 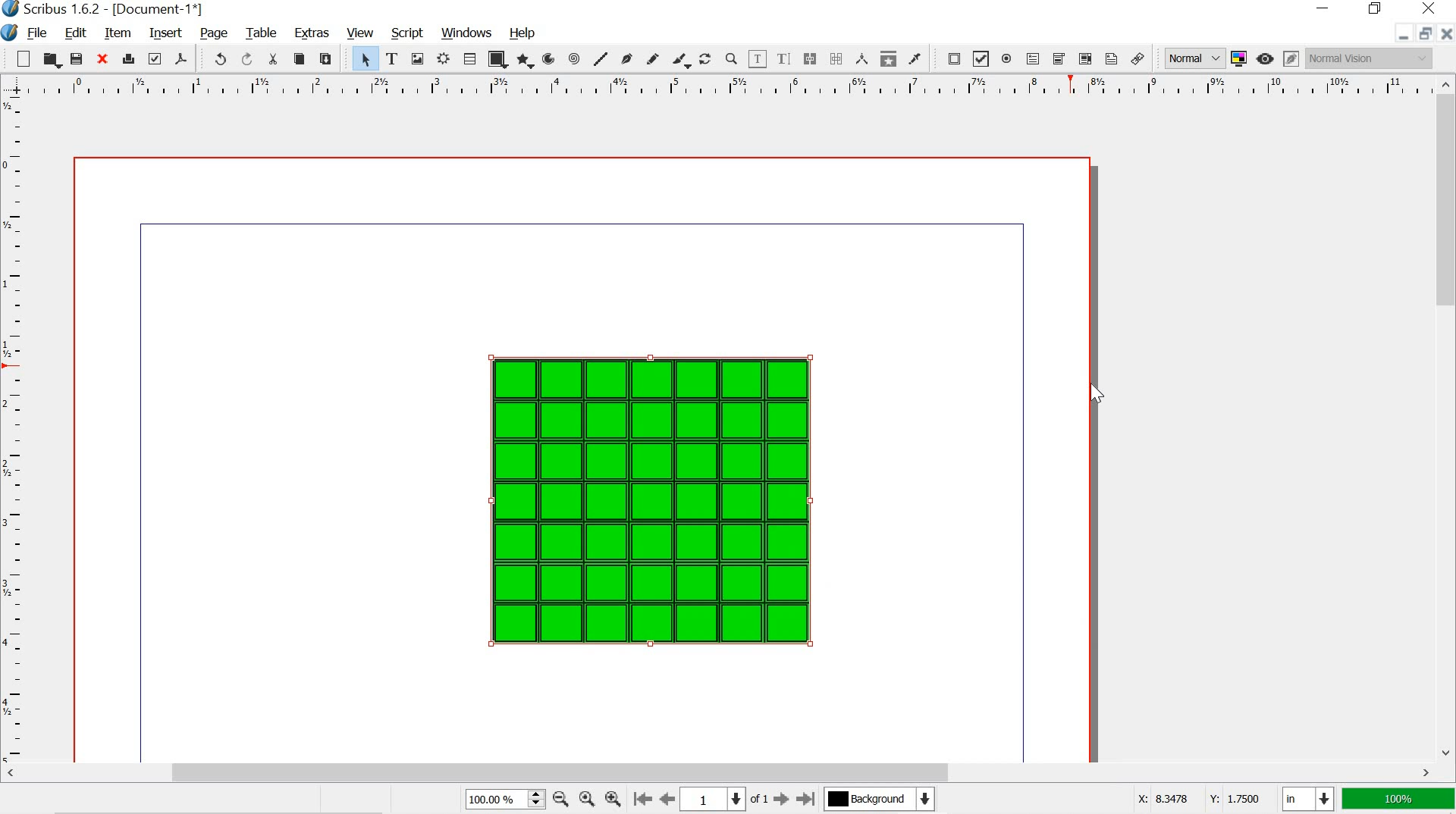 What do you see at coordinates (1446, 33) in the screenshot?
I see `close` at bounding box center [1446, 33].